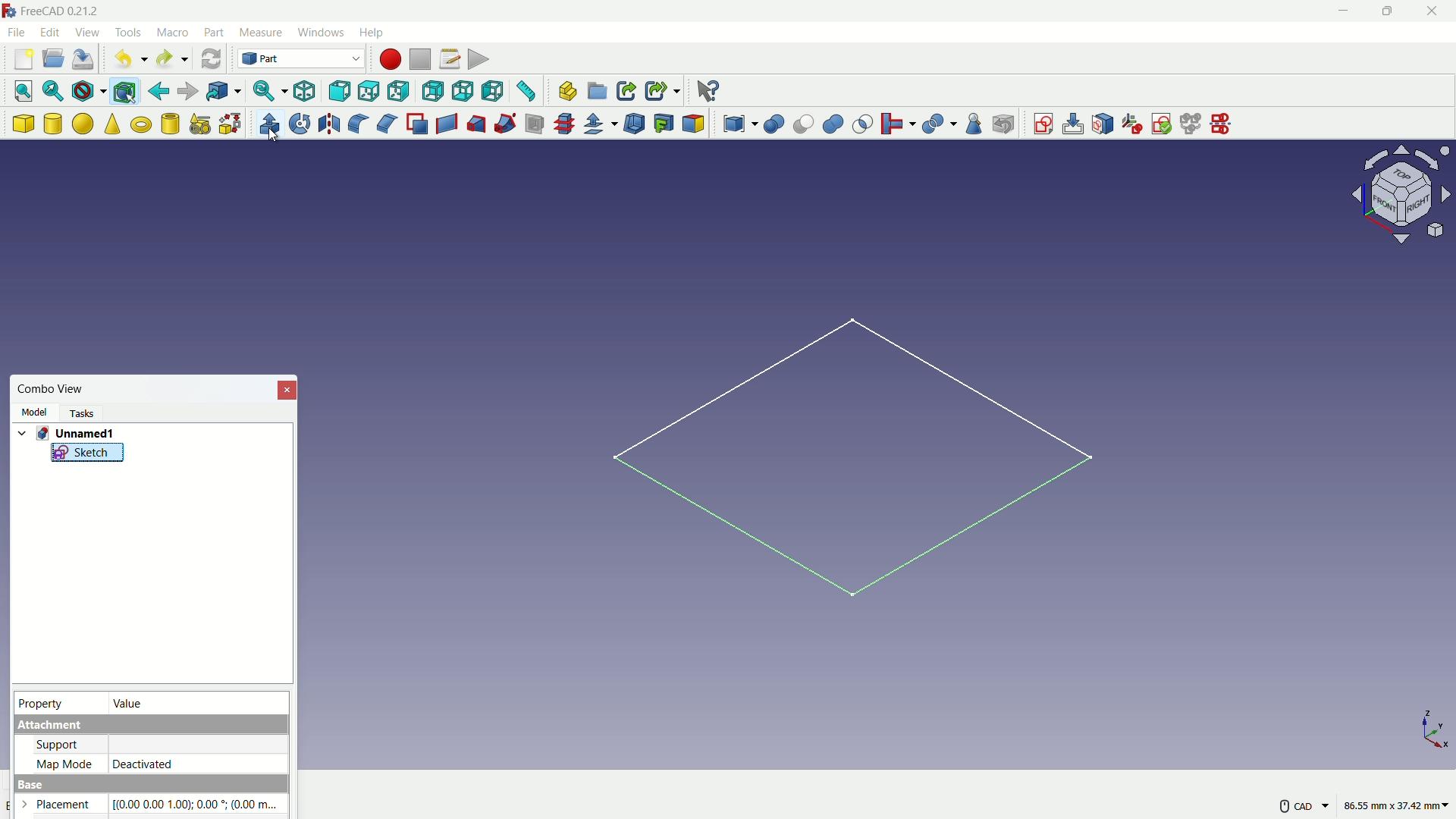 This screenshot has height=819, width=1456. I want to click on help menu, so click(373, 32).